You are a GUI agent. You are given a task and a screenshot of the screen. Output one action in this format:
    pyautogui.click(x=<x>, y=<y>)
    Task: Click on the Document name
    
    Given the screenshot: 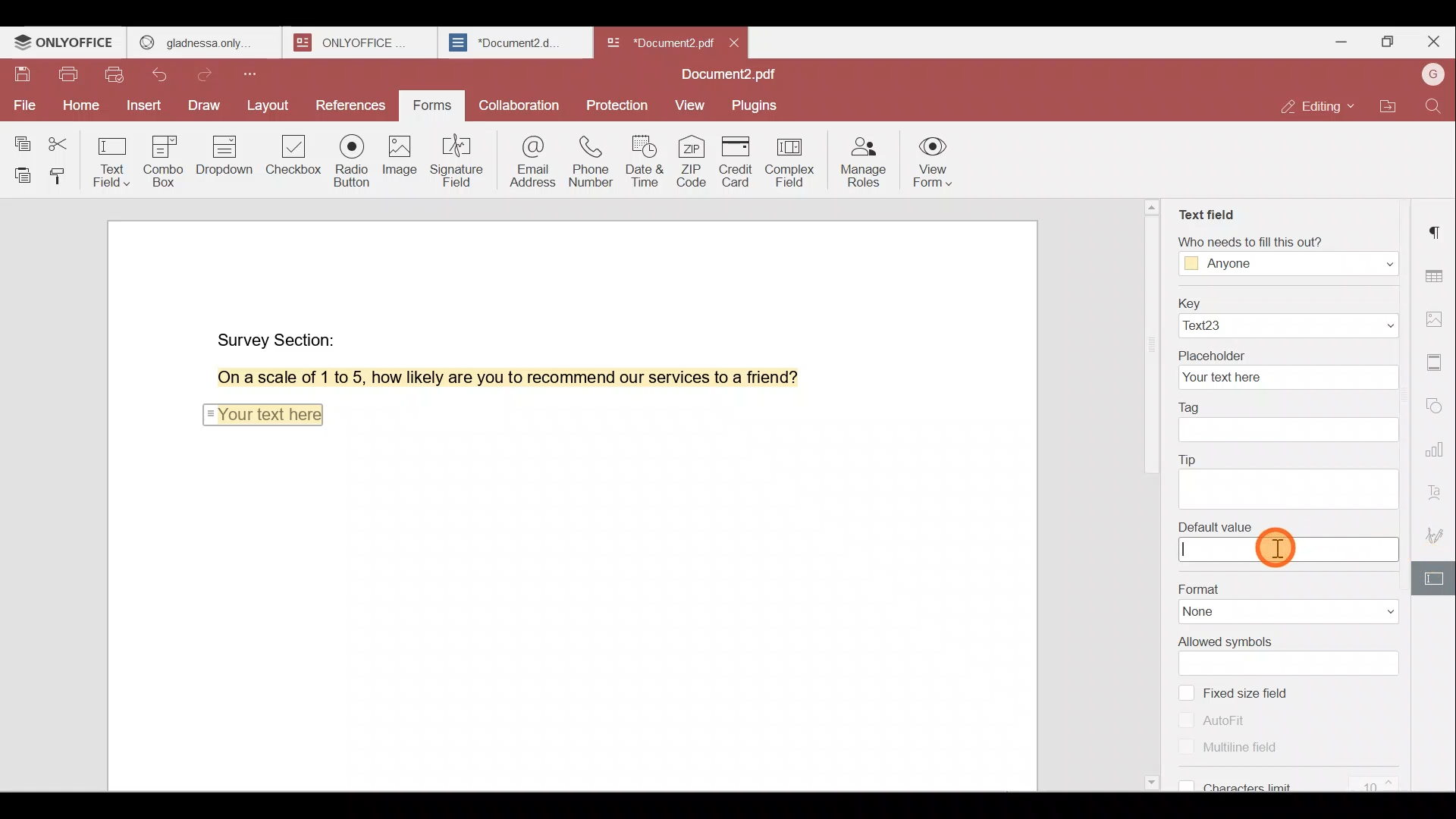 What is the action you would take?
    pyautogui.click(x=733, y=76)
    